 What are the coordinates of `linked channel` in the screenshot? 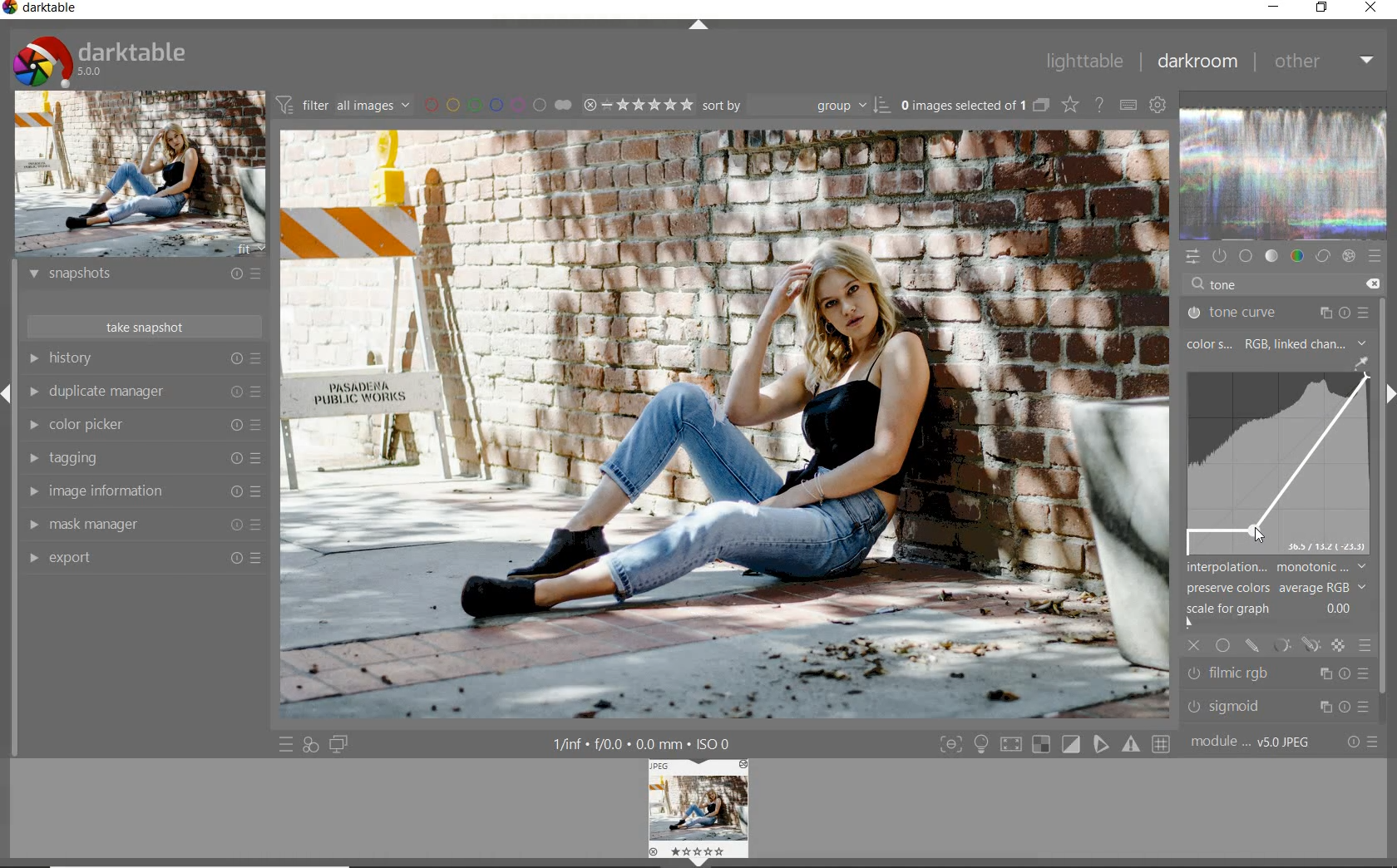 It's located at (1325, 343).